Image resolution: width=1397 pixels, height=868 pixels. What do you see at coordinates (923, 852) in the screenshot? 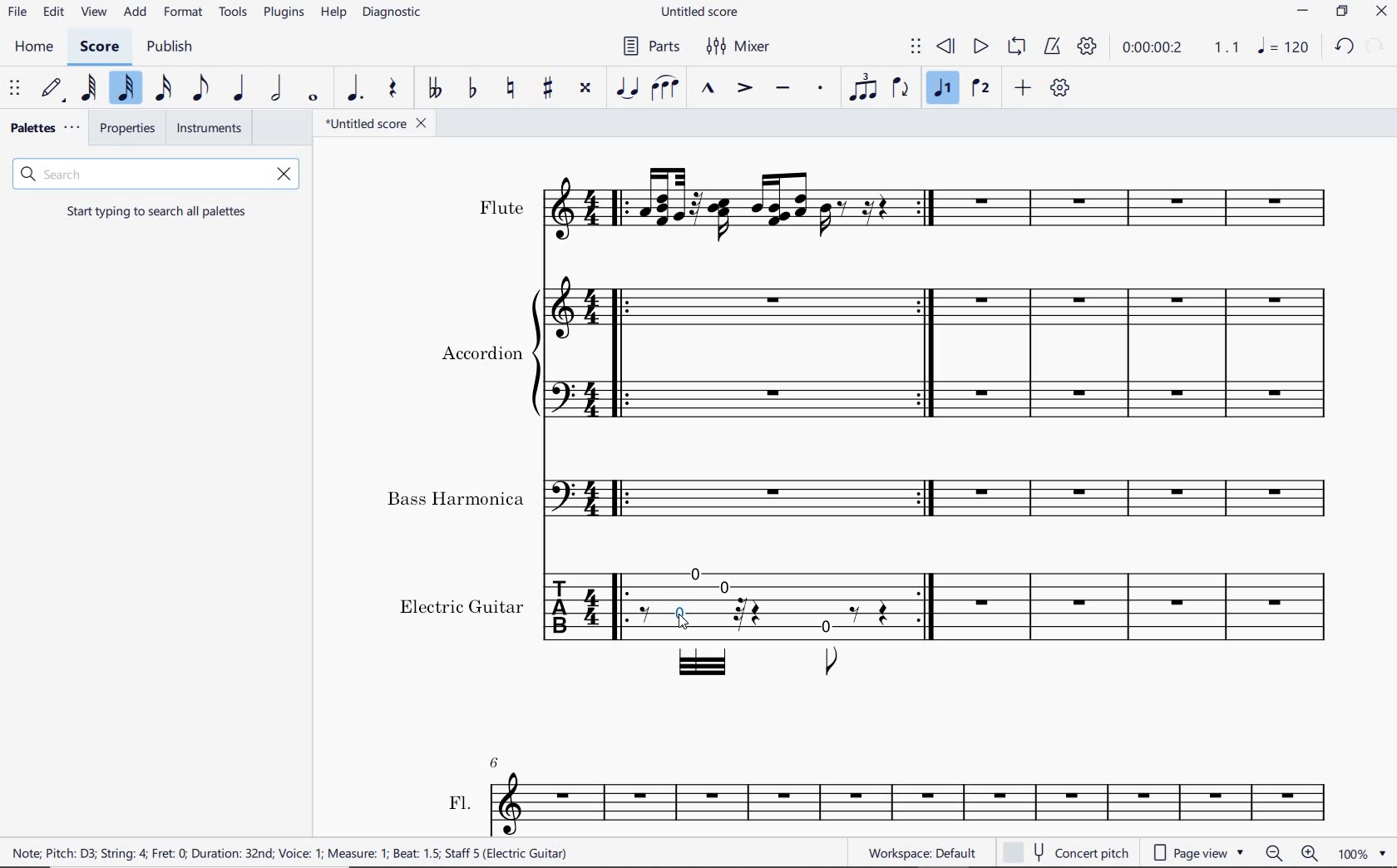
I see `workspace default` at bounding box center [923, 852].